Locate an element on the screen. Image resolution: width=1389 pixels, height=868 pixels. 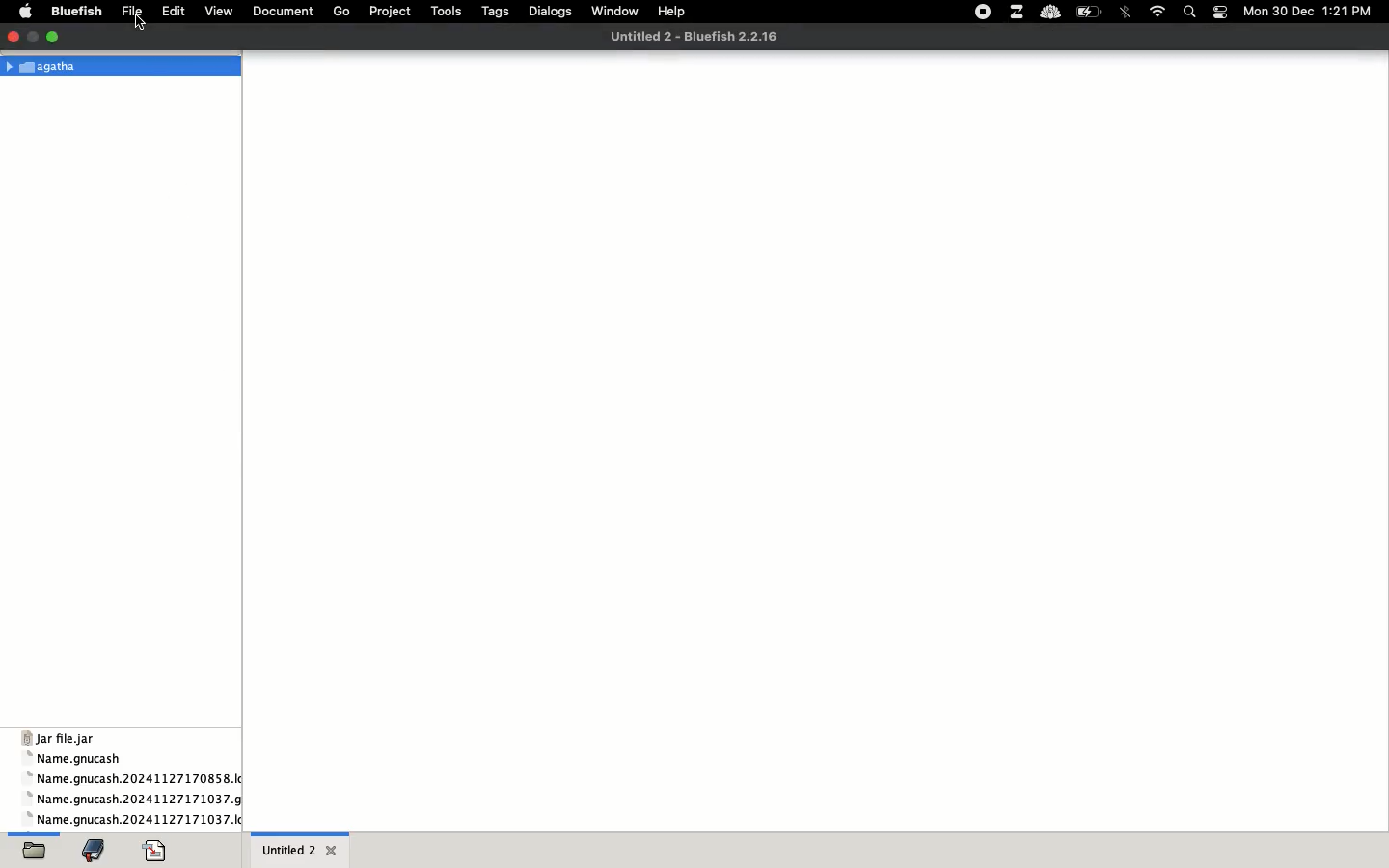
untitled is located at coordinates (288, 851).